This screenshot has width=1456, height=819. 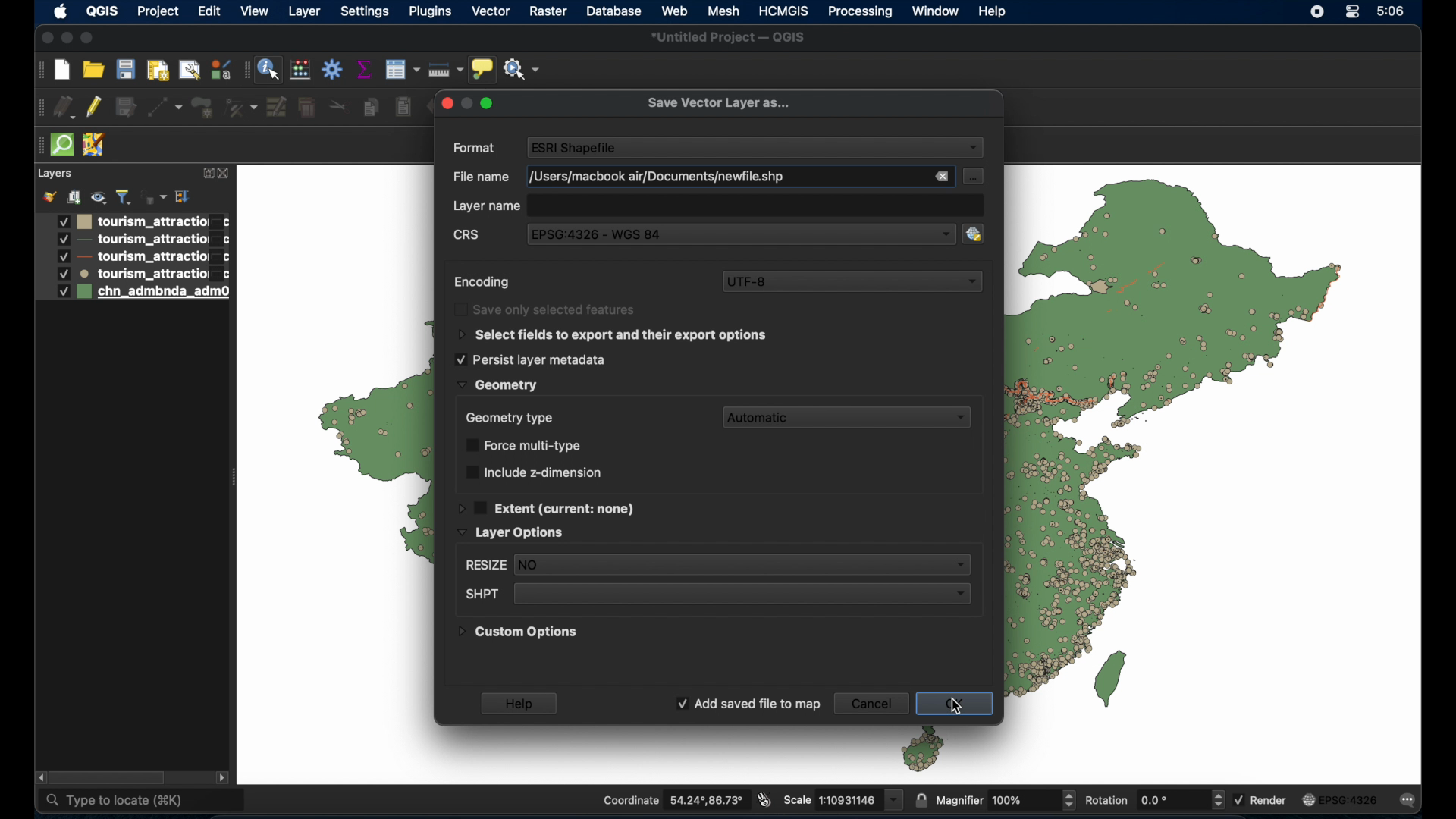 What do you see at coordinates (843, 799) in the screenshot?
I see `scale` at bounding box center [843, 799].